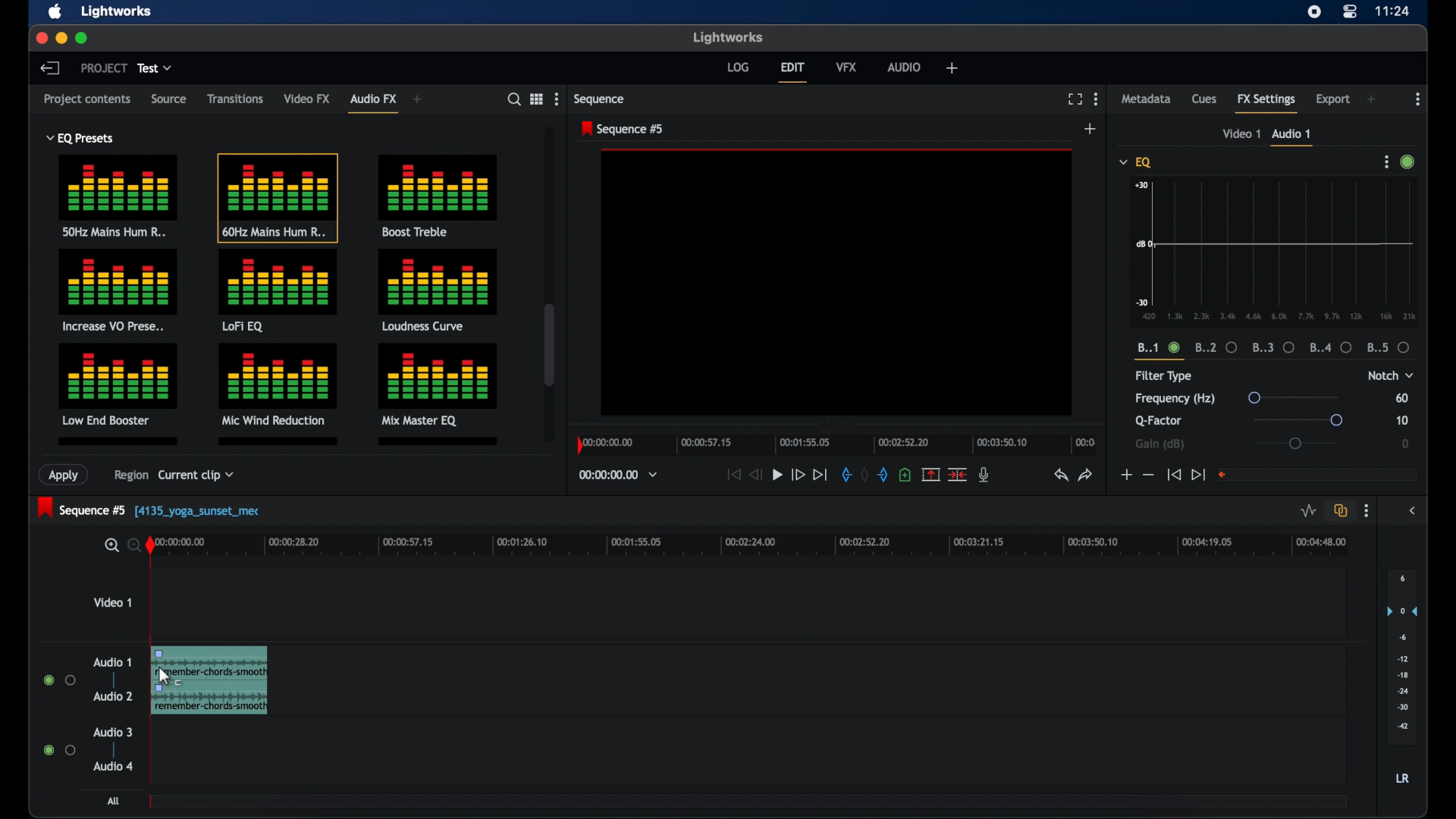  Describe the element at coordinates (1148, 475) in the screenshot. I see `decrement` at that location.